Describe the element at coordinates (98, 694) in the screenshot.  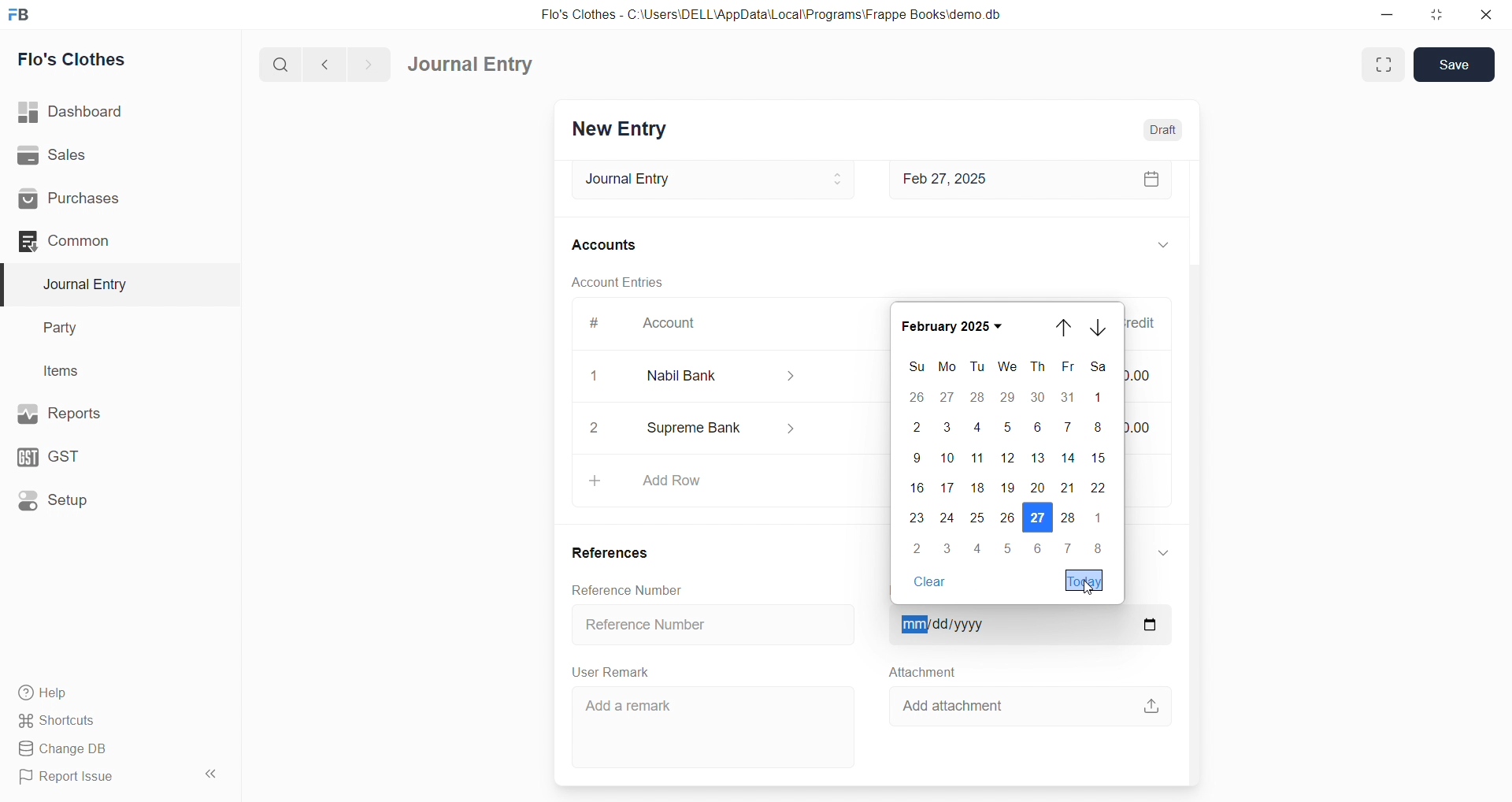
I see `Help` at that location.